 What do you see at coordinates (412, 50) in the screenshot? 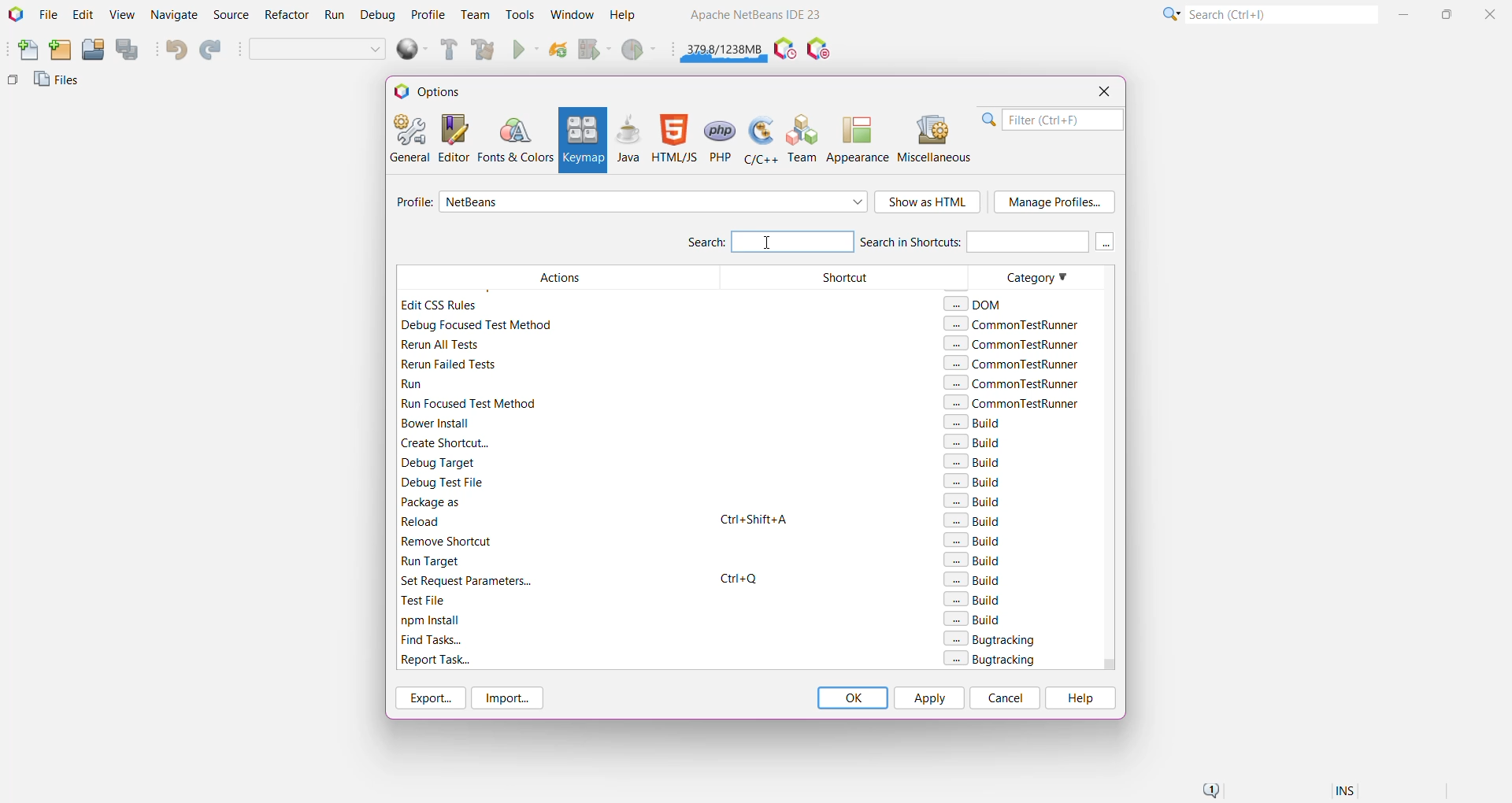
I see `` at bounding box center [412, 50].